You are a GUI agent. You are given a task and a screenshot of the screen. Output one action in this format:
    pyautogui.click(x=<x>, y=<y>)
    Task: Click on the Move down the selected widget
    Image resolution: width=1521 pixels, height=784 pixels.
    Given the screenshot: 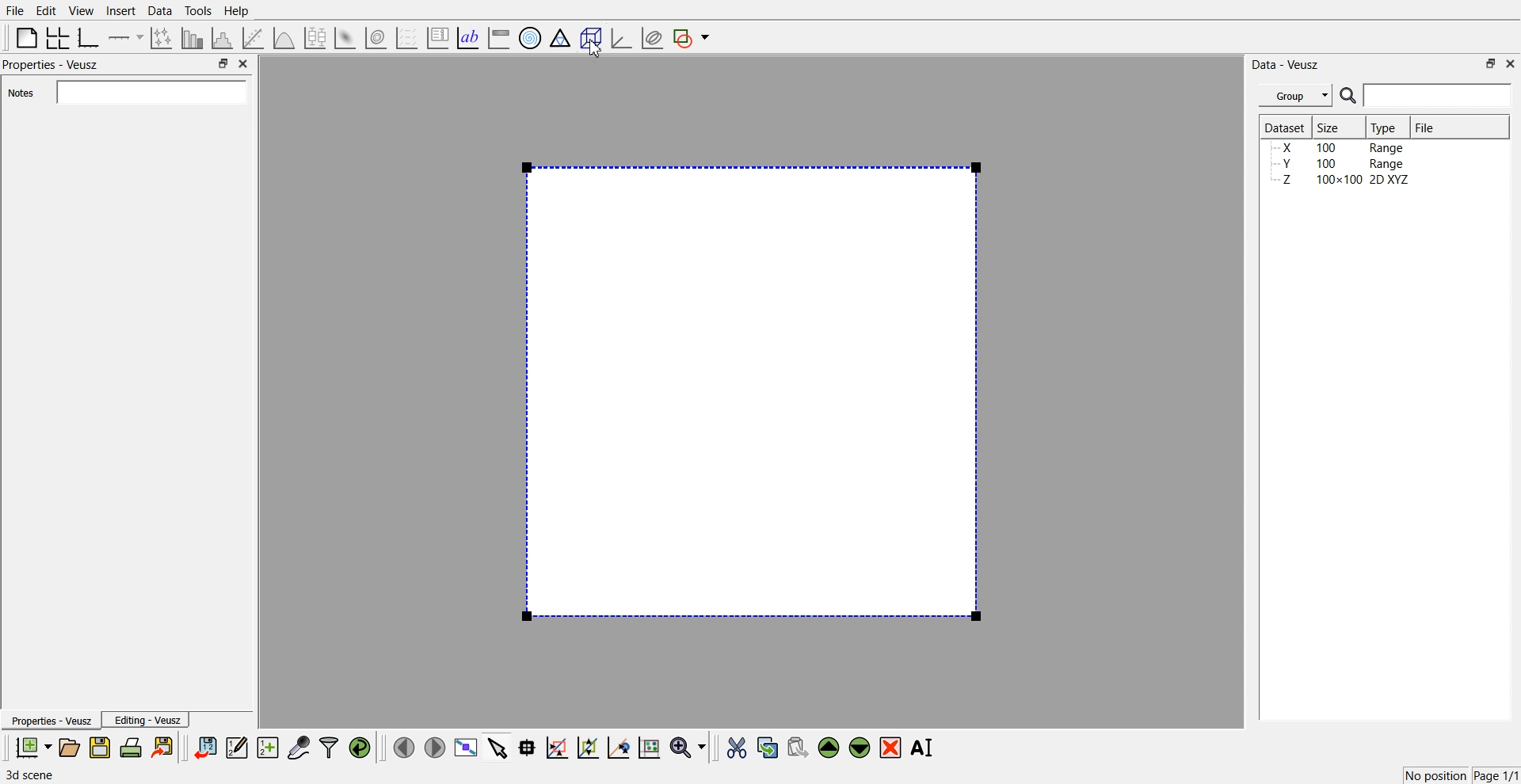 What is the action you would take?
    pyautogui.click(x=860, y=748)
    